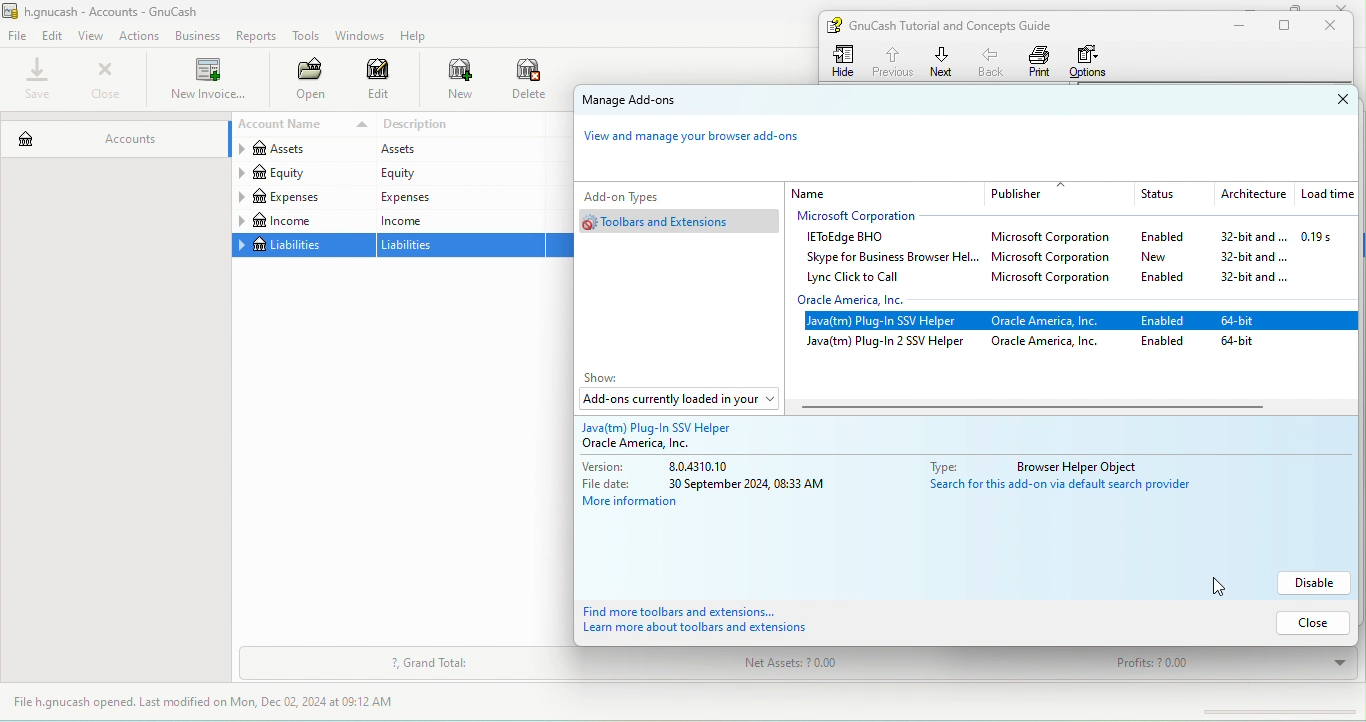 The width and height of the screenshot is (1366, 722). I want to click on java (tm)plug ln-2 ssv helper, so click(886, 344).